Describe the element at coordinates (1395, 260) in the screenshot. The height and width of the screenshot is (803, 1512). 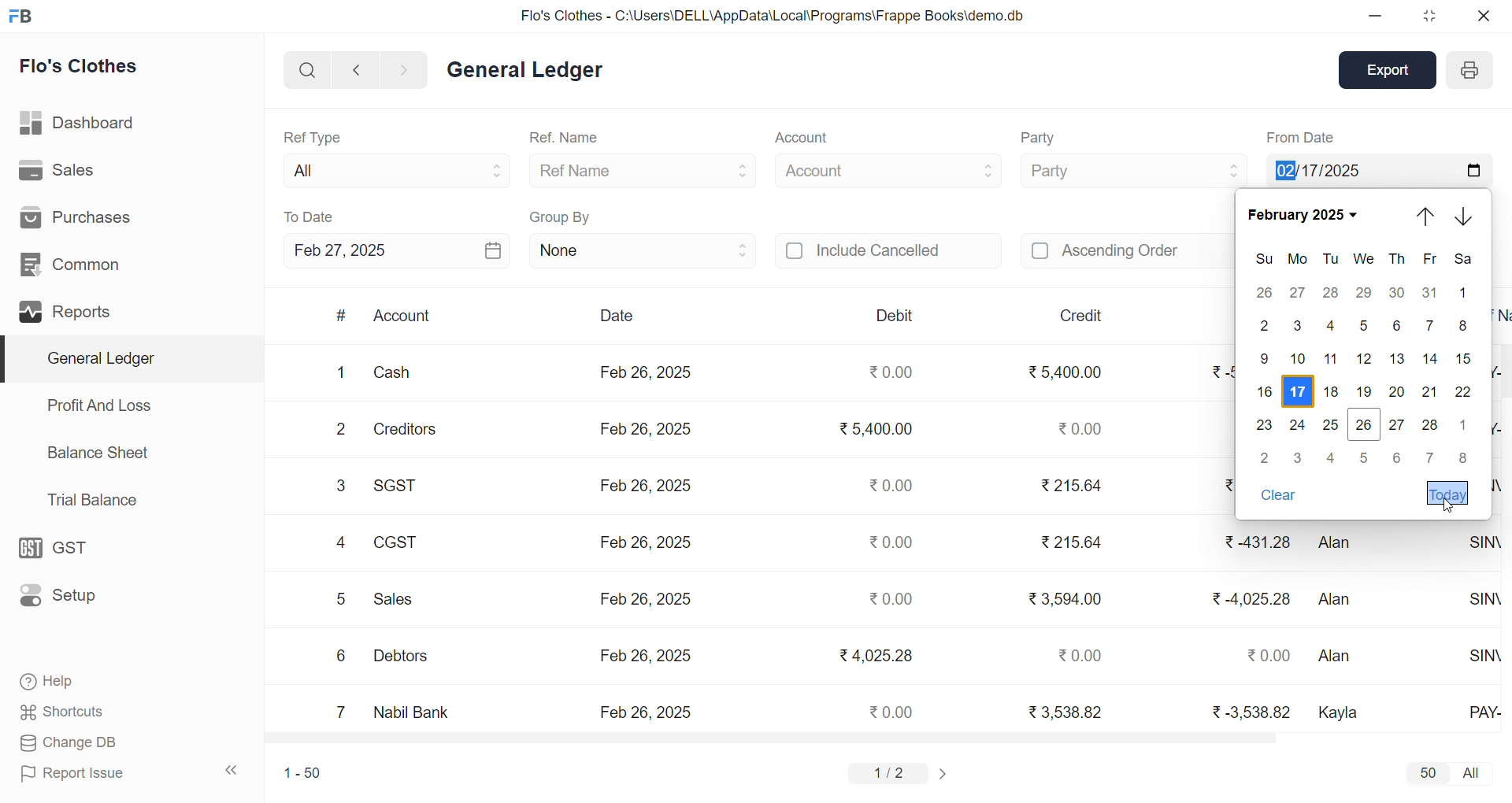
I see `Th` at that location.